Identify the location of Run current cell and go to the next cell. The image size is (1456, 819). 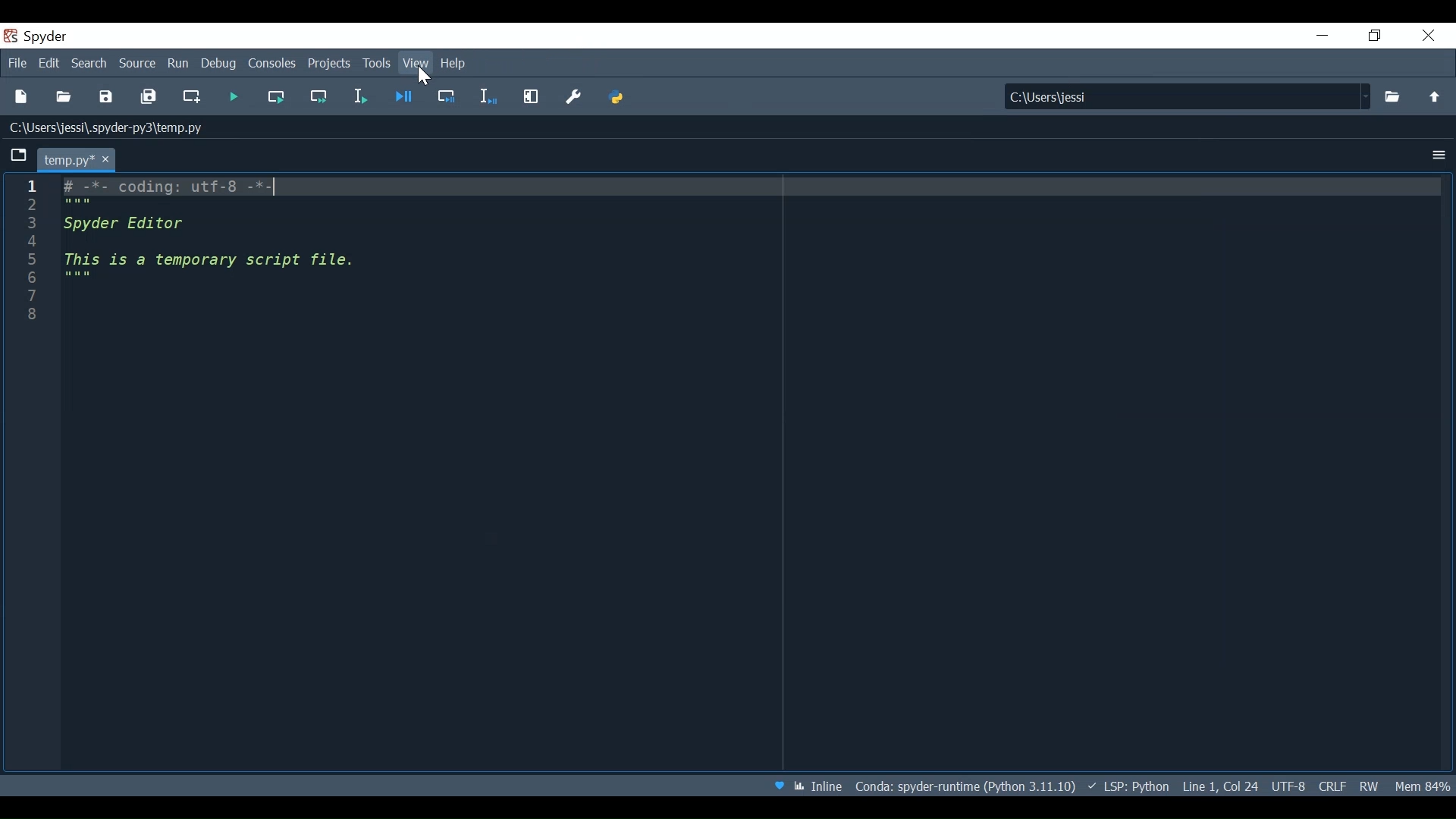
(320, 96).